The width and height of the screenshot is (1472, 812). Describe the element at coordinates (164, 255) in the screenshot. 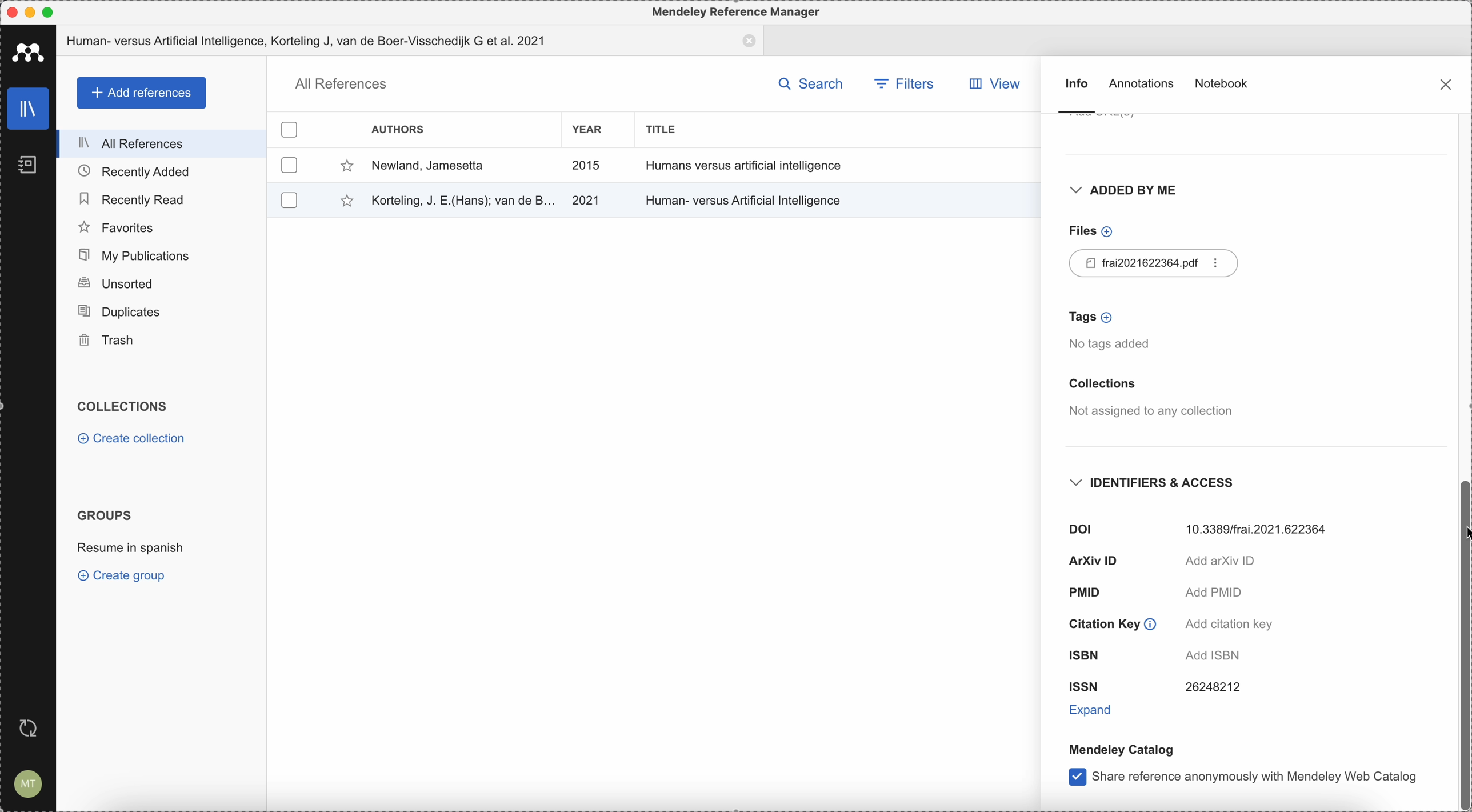

I see `my publications` at that location.